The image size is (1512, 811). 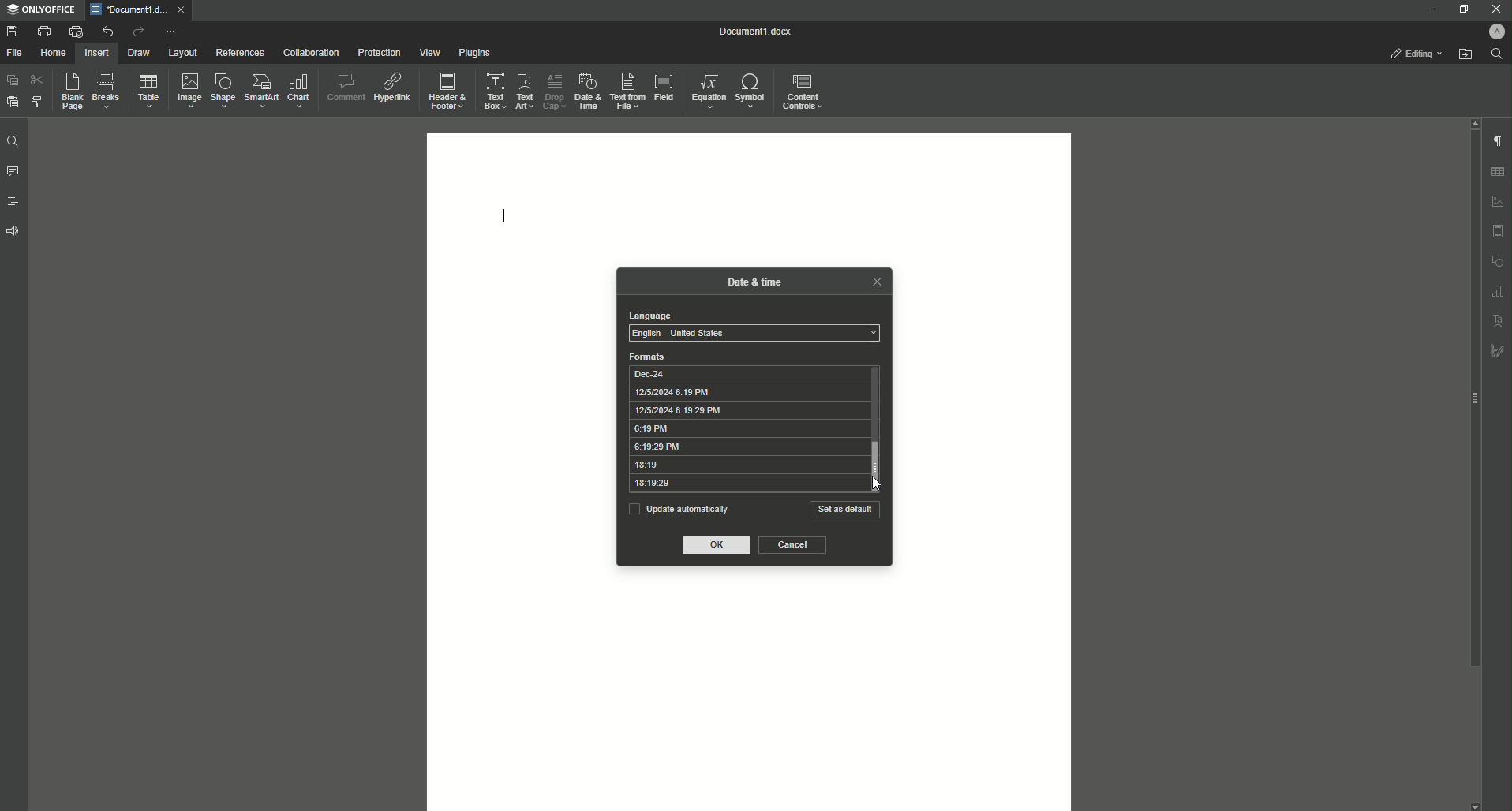 What do you see at coordinates (746, 447) in the screenshot?
I see `6:19:29 PM` at bounding box center [746, 447].